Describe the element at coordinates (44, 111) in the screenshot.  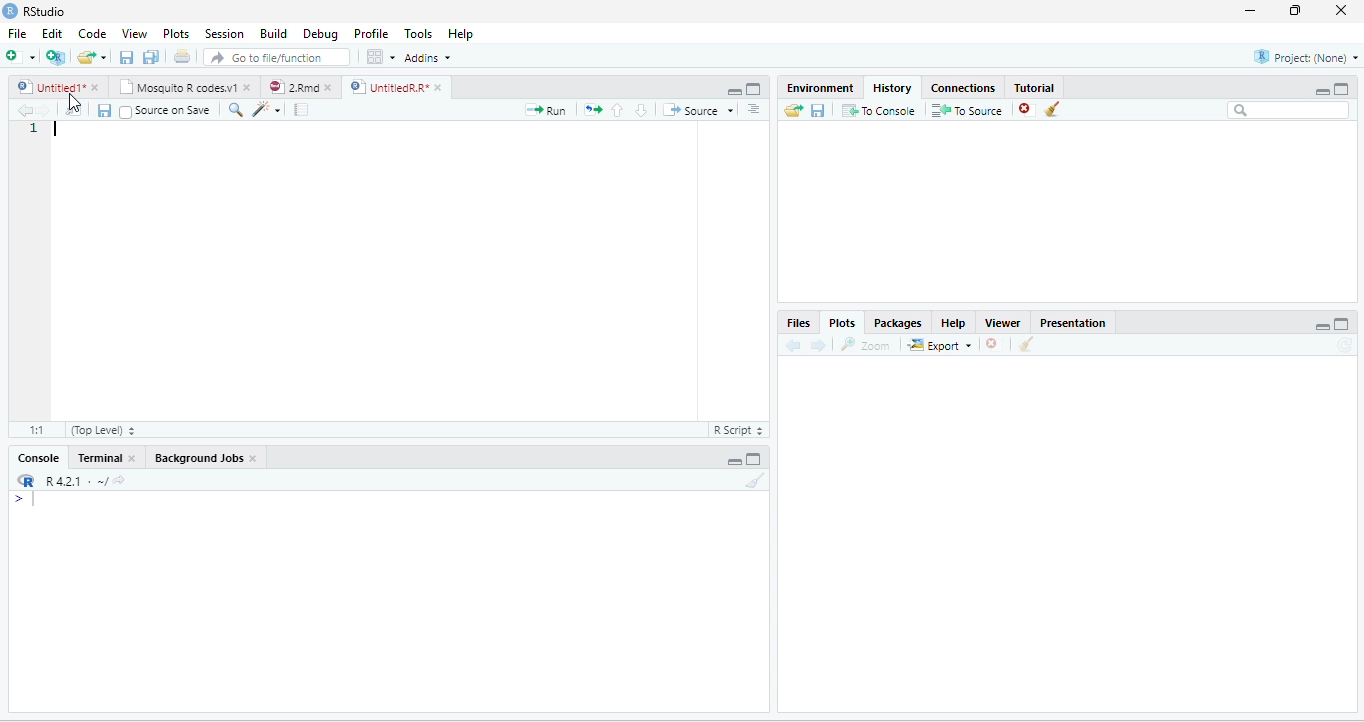
I see `Go forward to next source location` at that location.